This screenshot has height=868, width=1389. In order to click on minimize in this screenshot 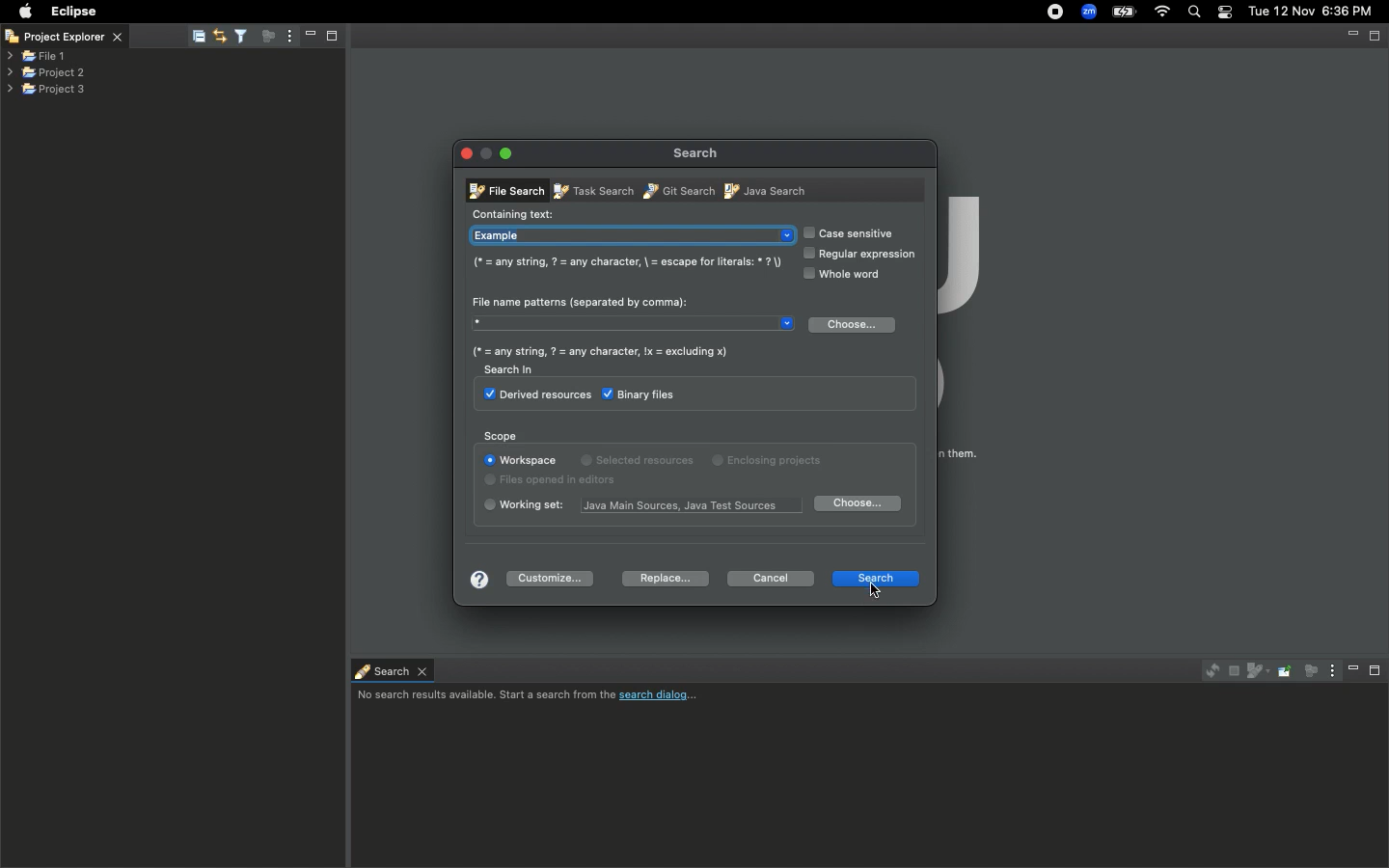, I will do `click(1352, 37)`.